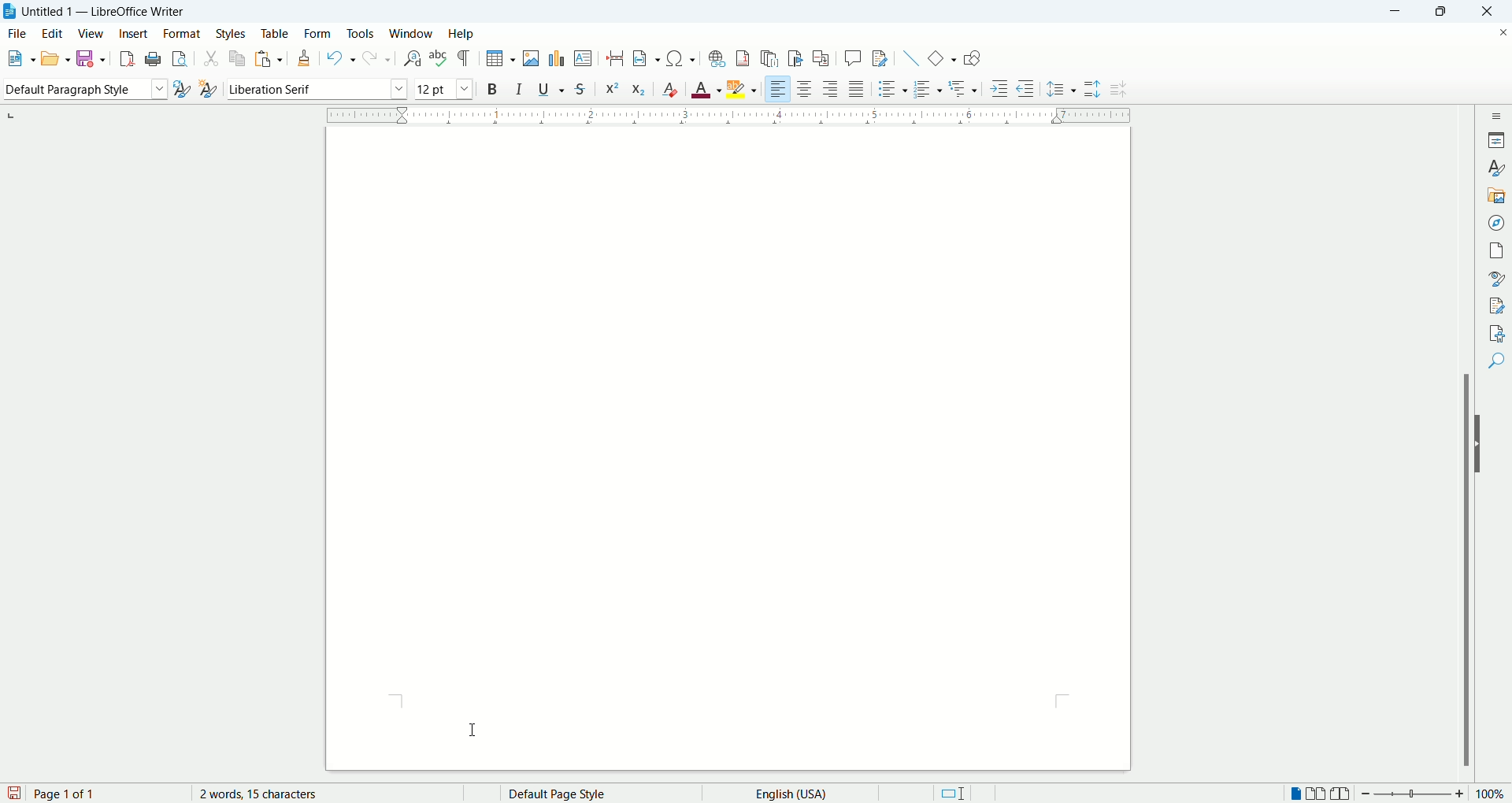  I want to click on Untitled 1 - LibreOffice Writer, so click(107, 11).